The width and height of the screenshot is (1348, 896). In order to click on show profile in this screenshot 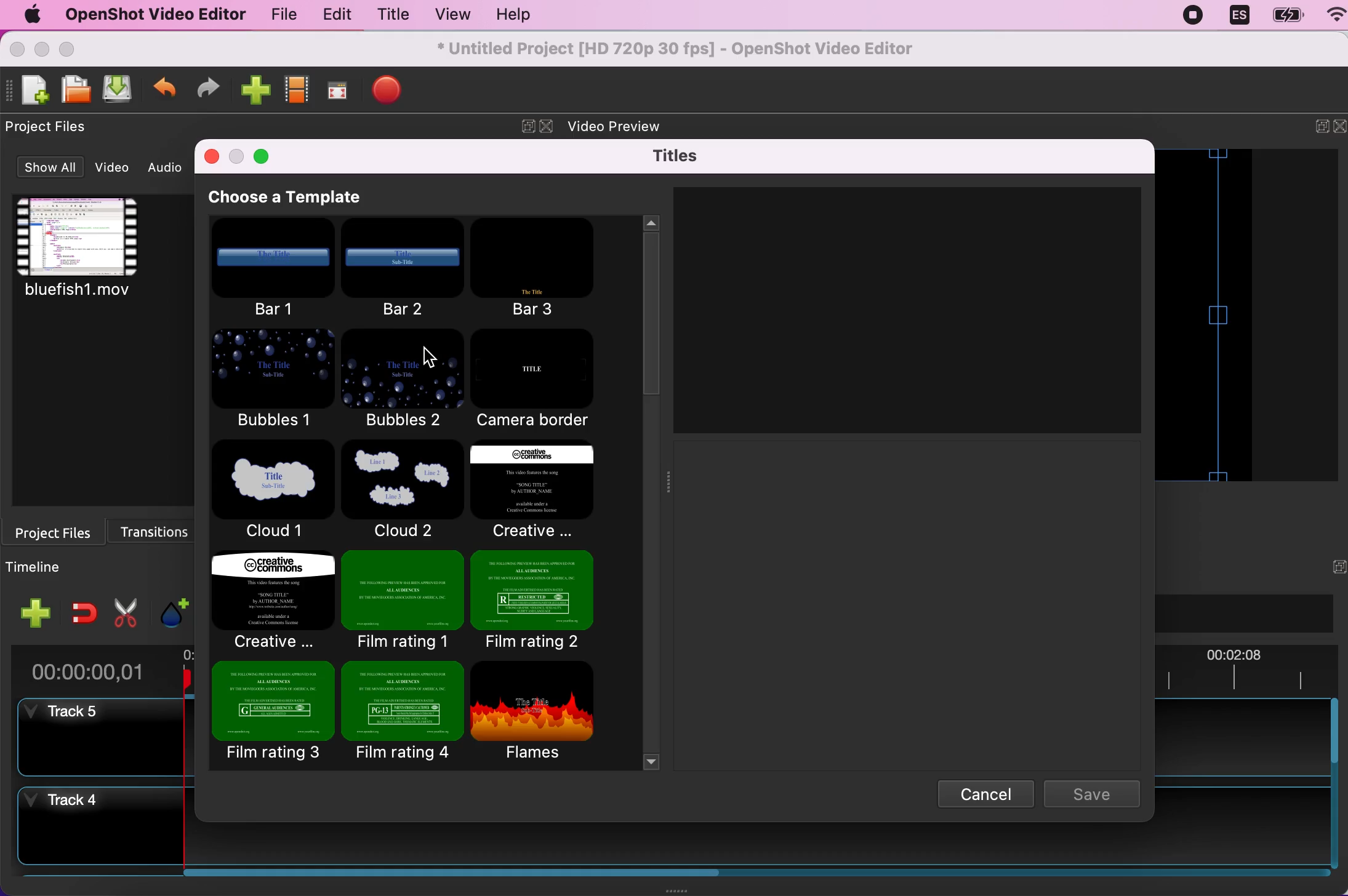, I will do `click(295, 94)`.